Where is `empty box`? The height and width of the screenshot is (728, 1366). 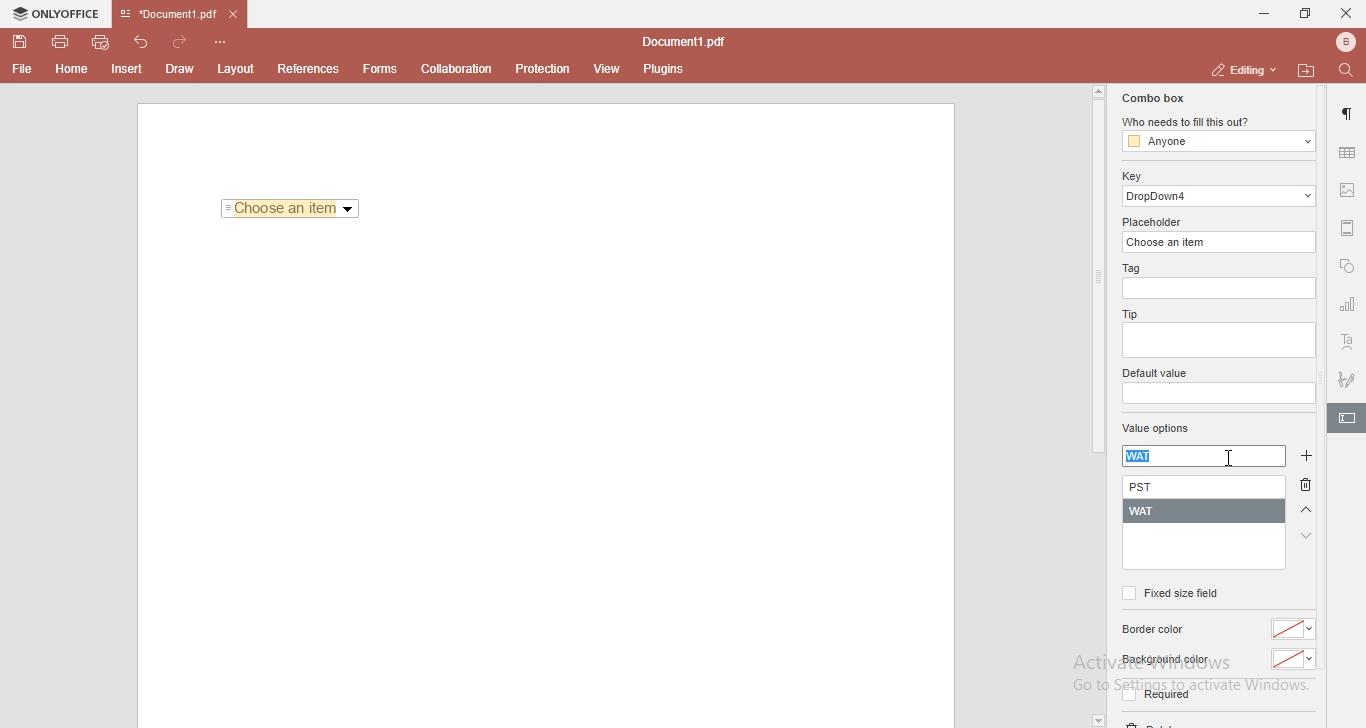
empty box is located at coordinates (1221, 289).